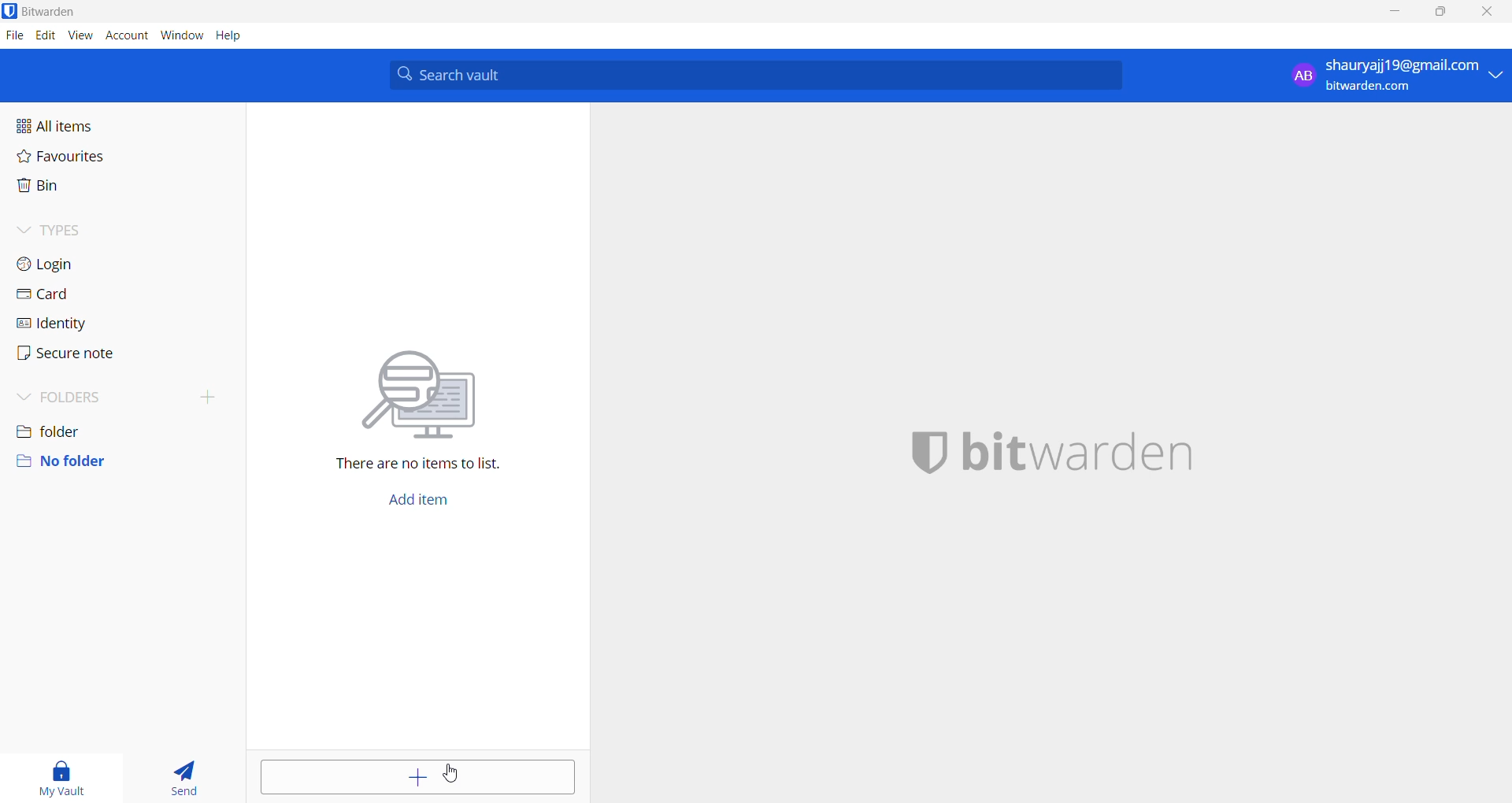 The image size is (1512, 803). Describe the element at coordinates (1484, 11) in the screenshot. I see `close` at that location.